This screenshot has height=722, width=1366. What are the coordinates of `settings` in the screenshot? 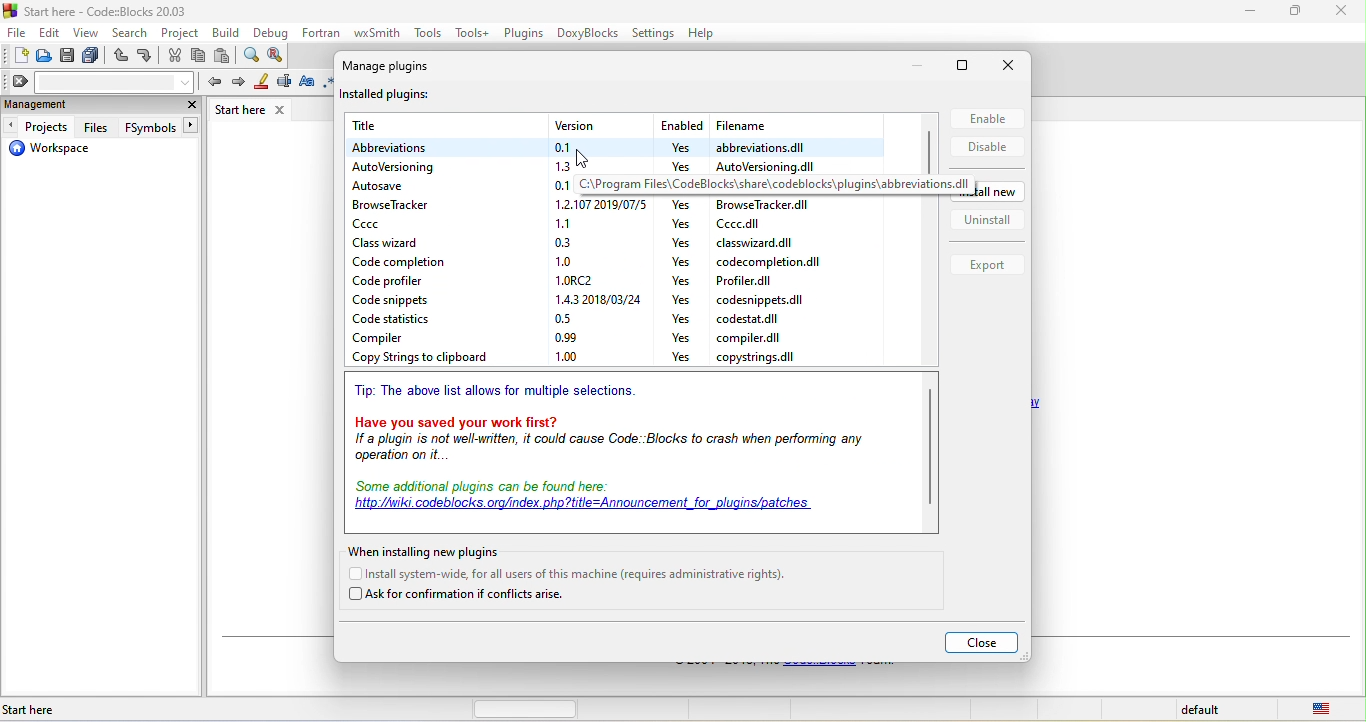 It's located at (654, 34).